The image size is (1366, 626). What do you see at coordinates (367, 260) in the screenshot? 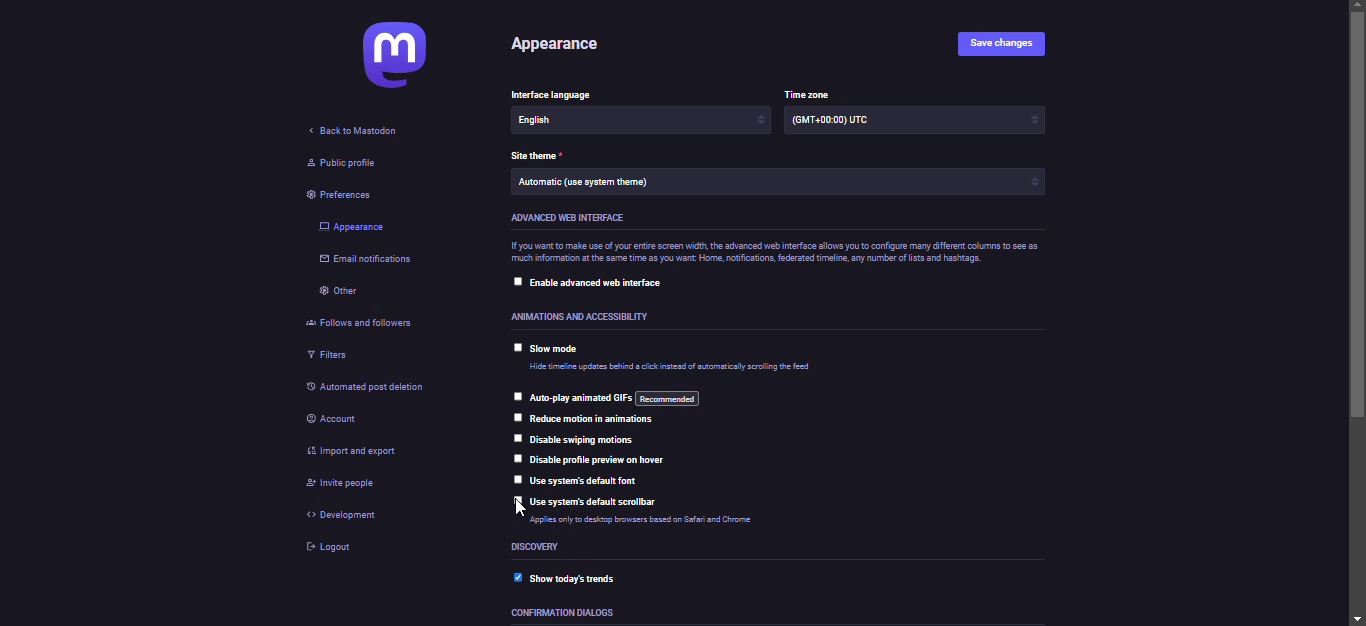
I see `email notifications` at bounding box center [367, 260].